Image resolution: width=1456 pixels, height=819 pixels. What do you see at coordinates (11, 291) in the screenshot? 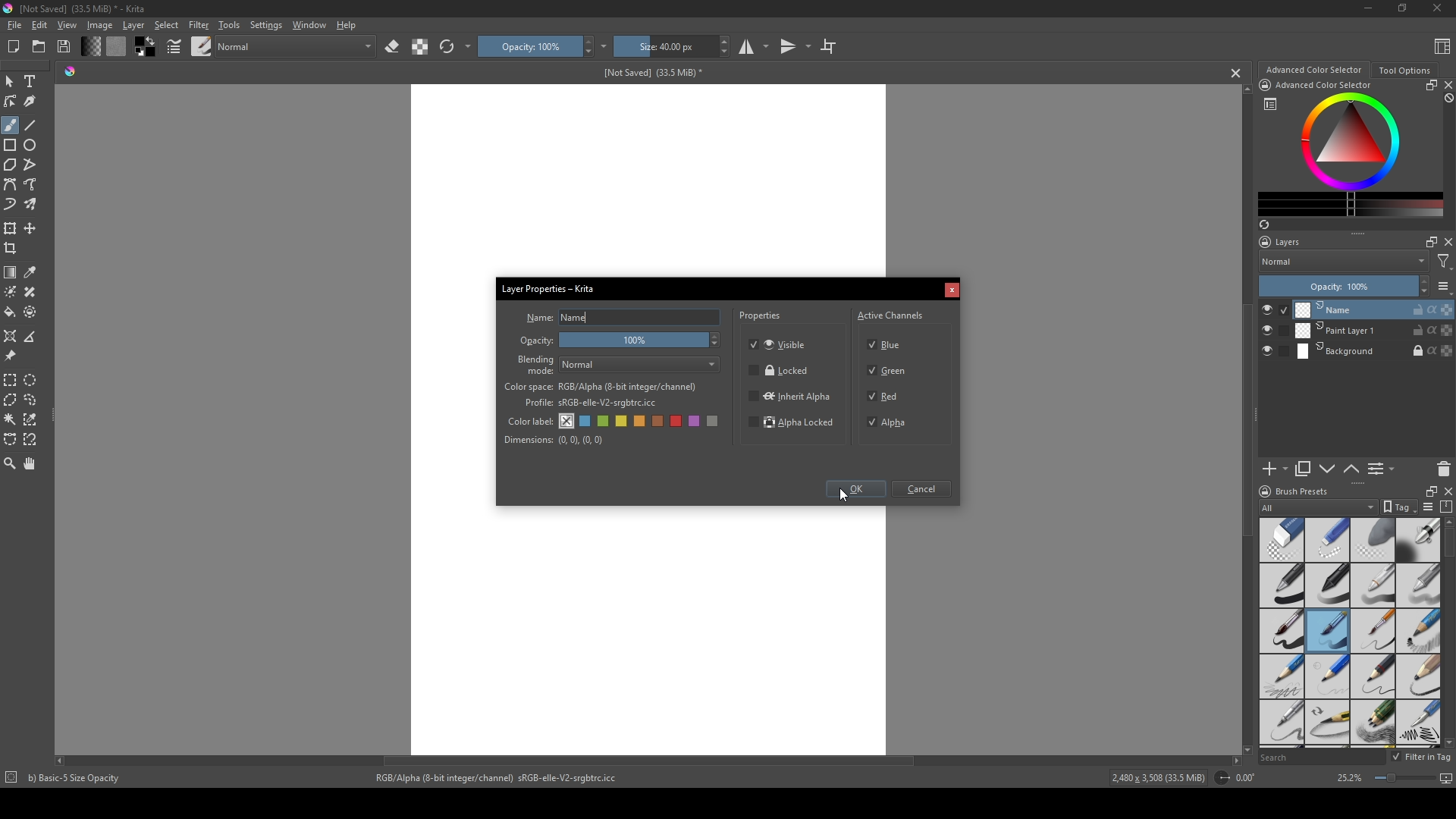
I see `colorize mask` at bounding box center [11, 291].